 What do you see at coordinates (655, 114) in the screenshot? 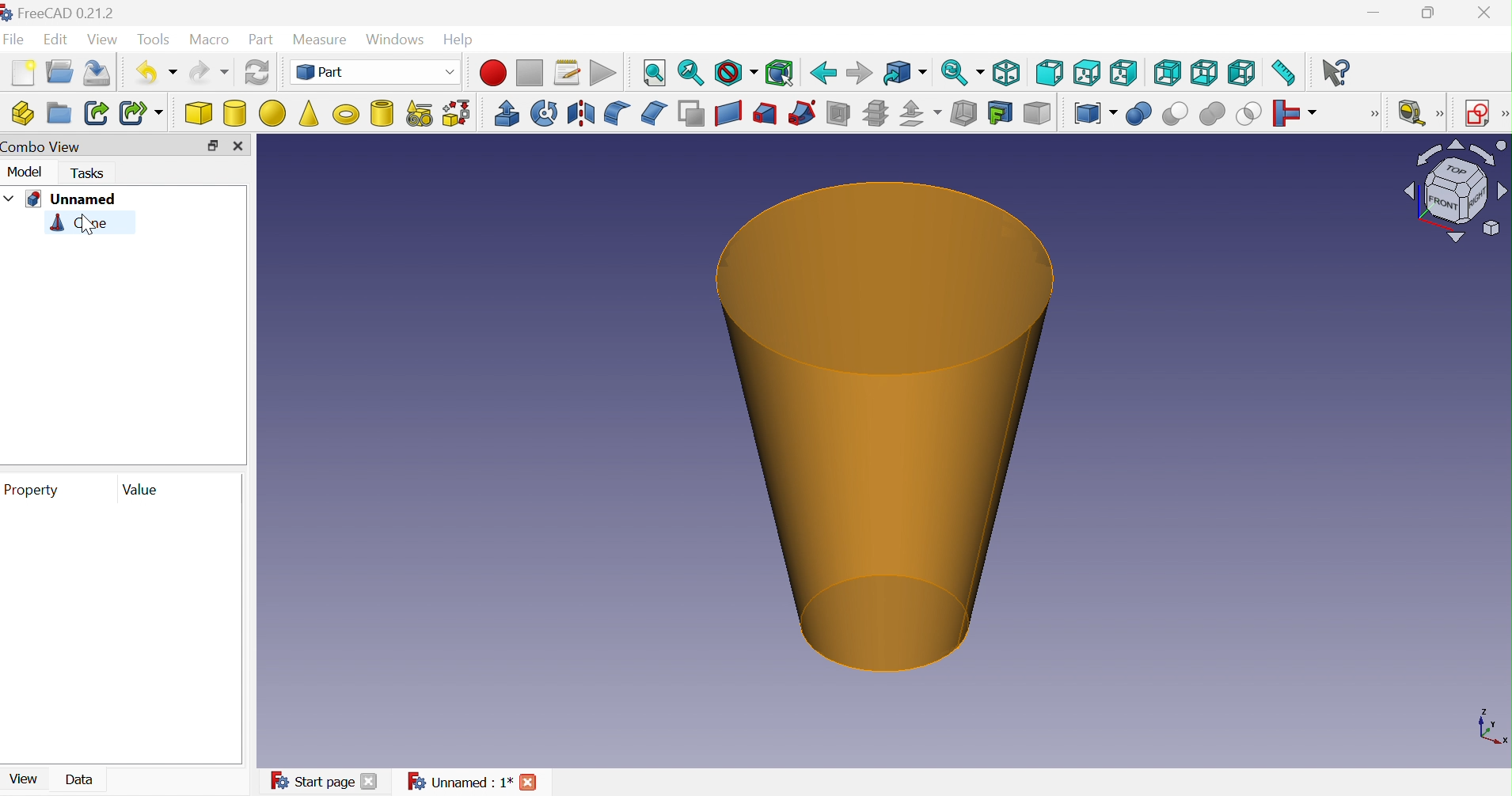
I see `Chamfer` at bounding box center [655, 114].